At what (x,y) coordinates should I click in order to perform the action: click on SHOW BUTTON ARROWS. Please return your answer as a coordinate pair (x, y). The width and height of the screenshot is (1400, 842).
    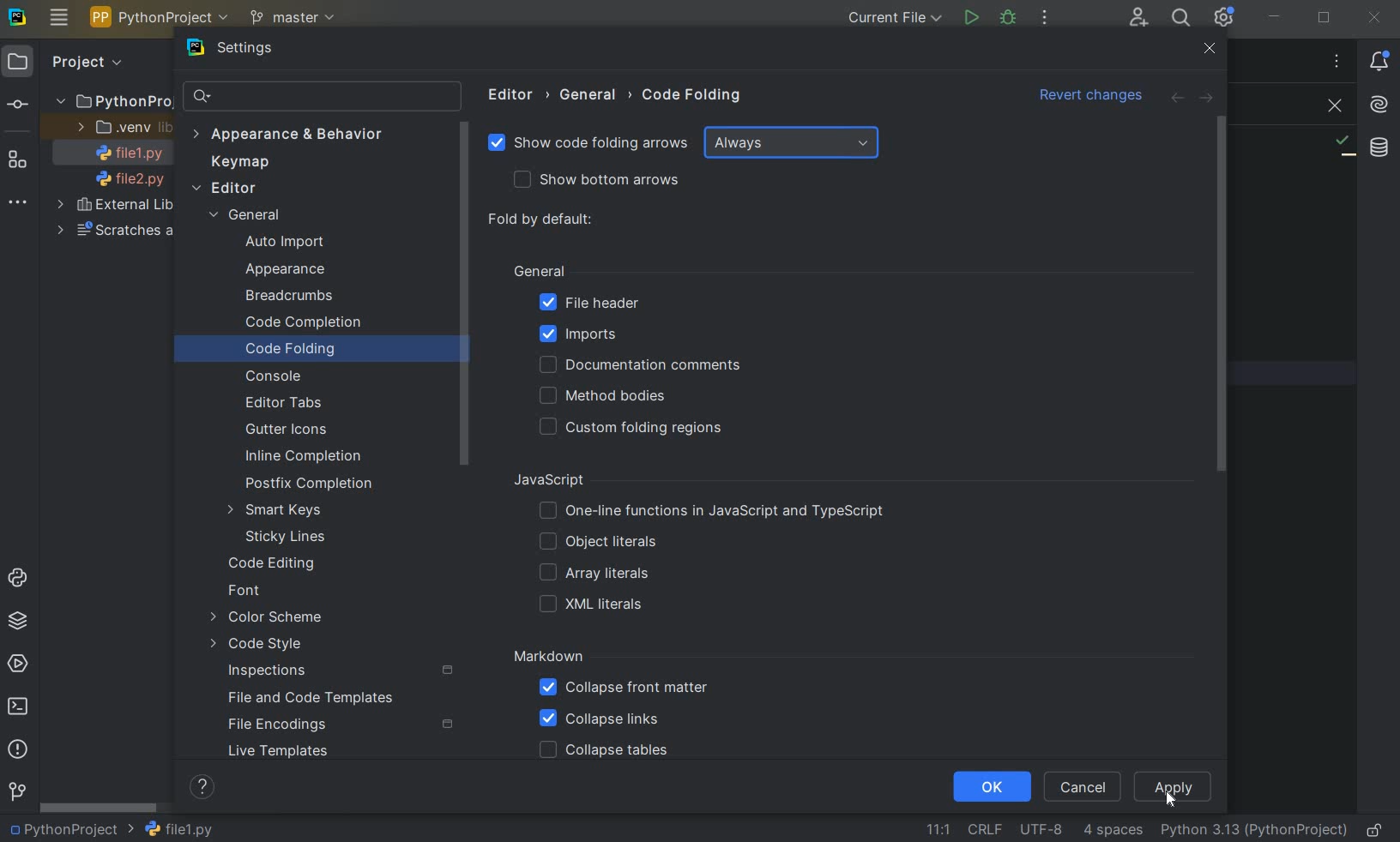
    Looking at the image, I should click on (605, 181).